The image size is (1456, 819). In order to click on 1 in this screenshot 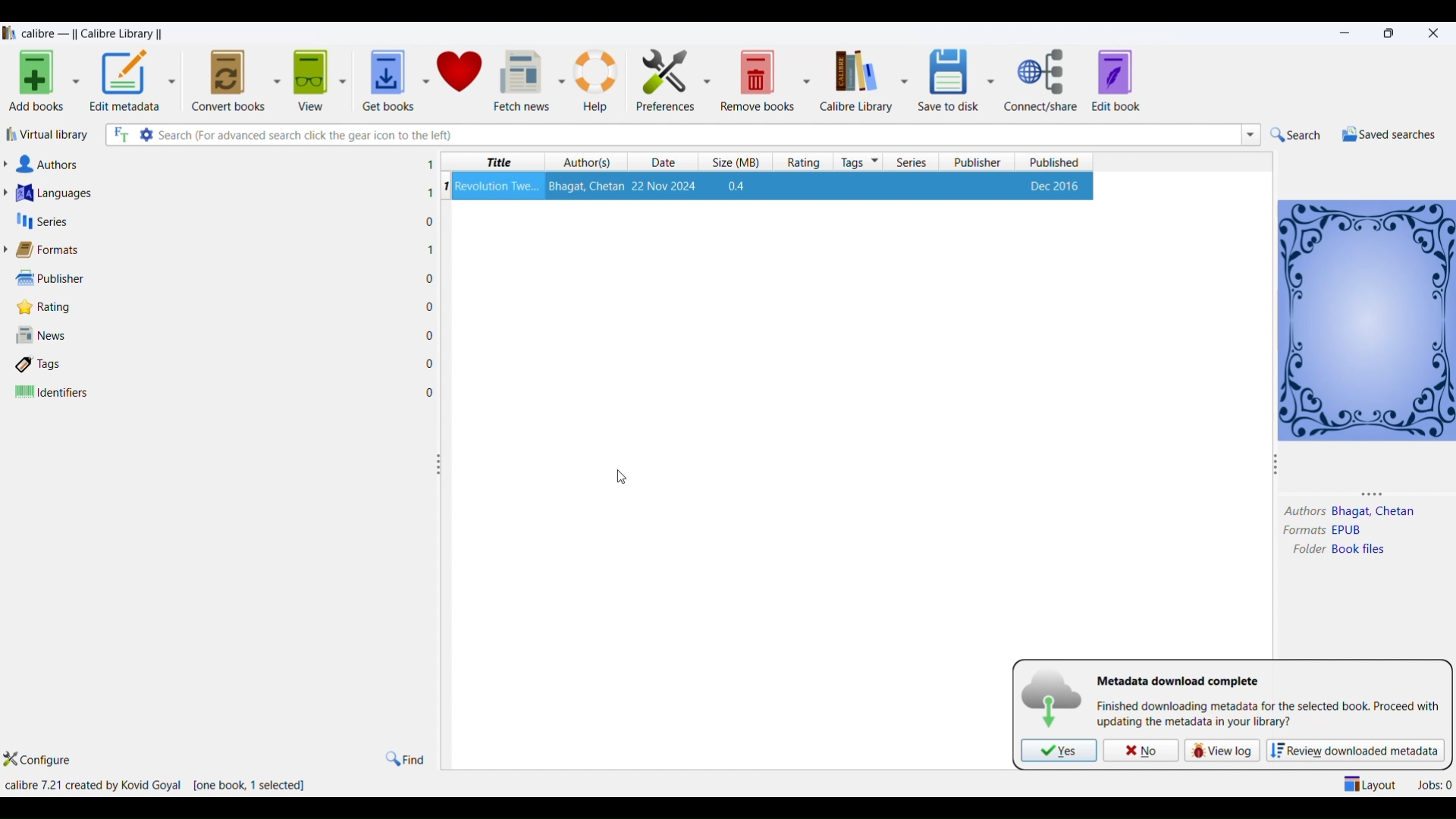, I will do `click(445, 186)`.